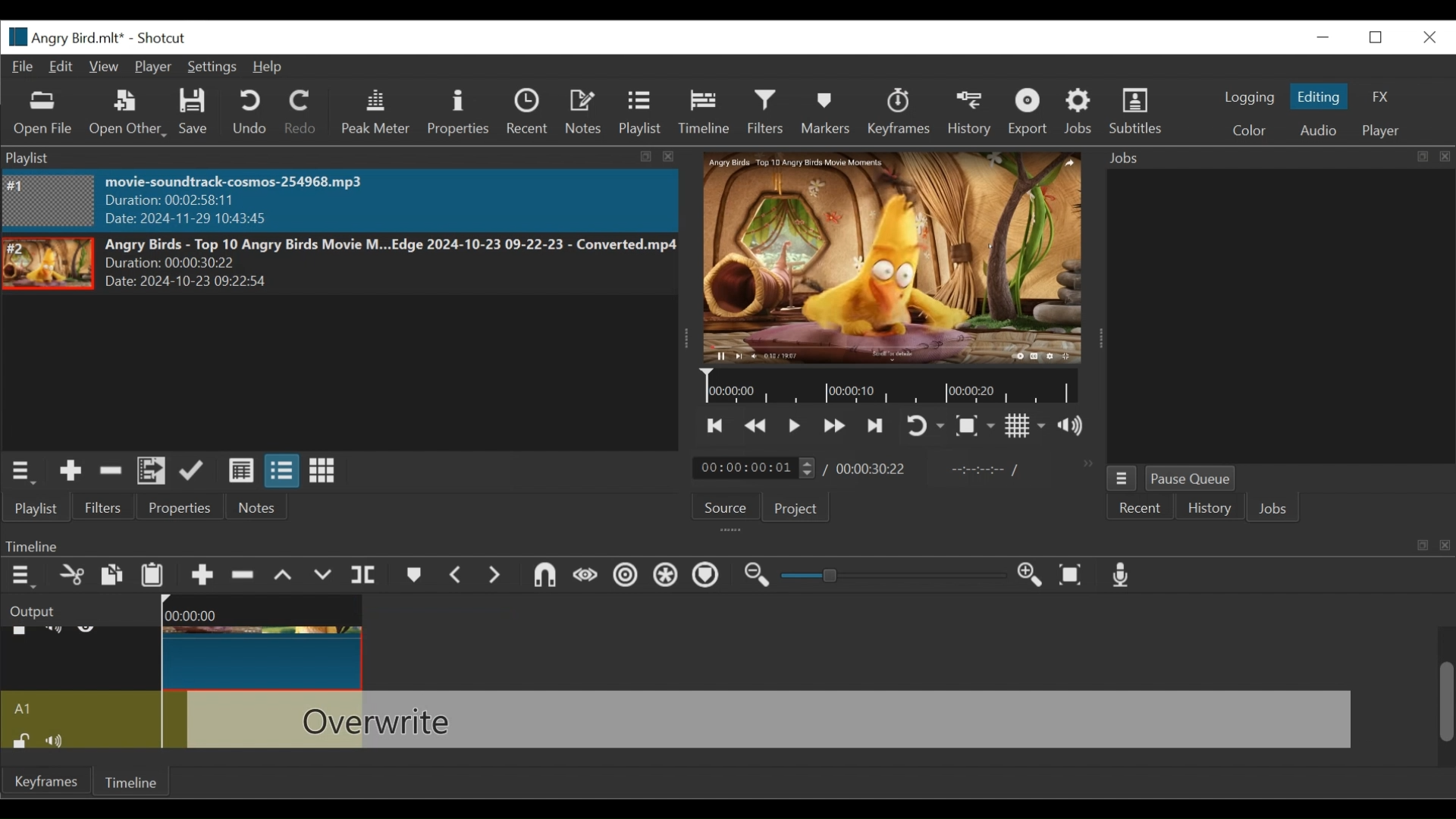 The image size is (1456, 819). Describe the element at coordinates (886, 256) in the screenshot. I see `Media Viewer` at that location.